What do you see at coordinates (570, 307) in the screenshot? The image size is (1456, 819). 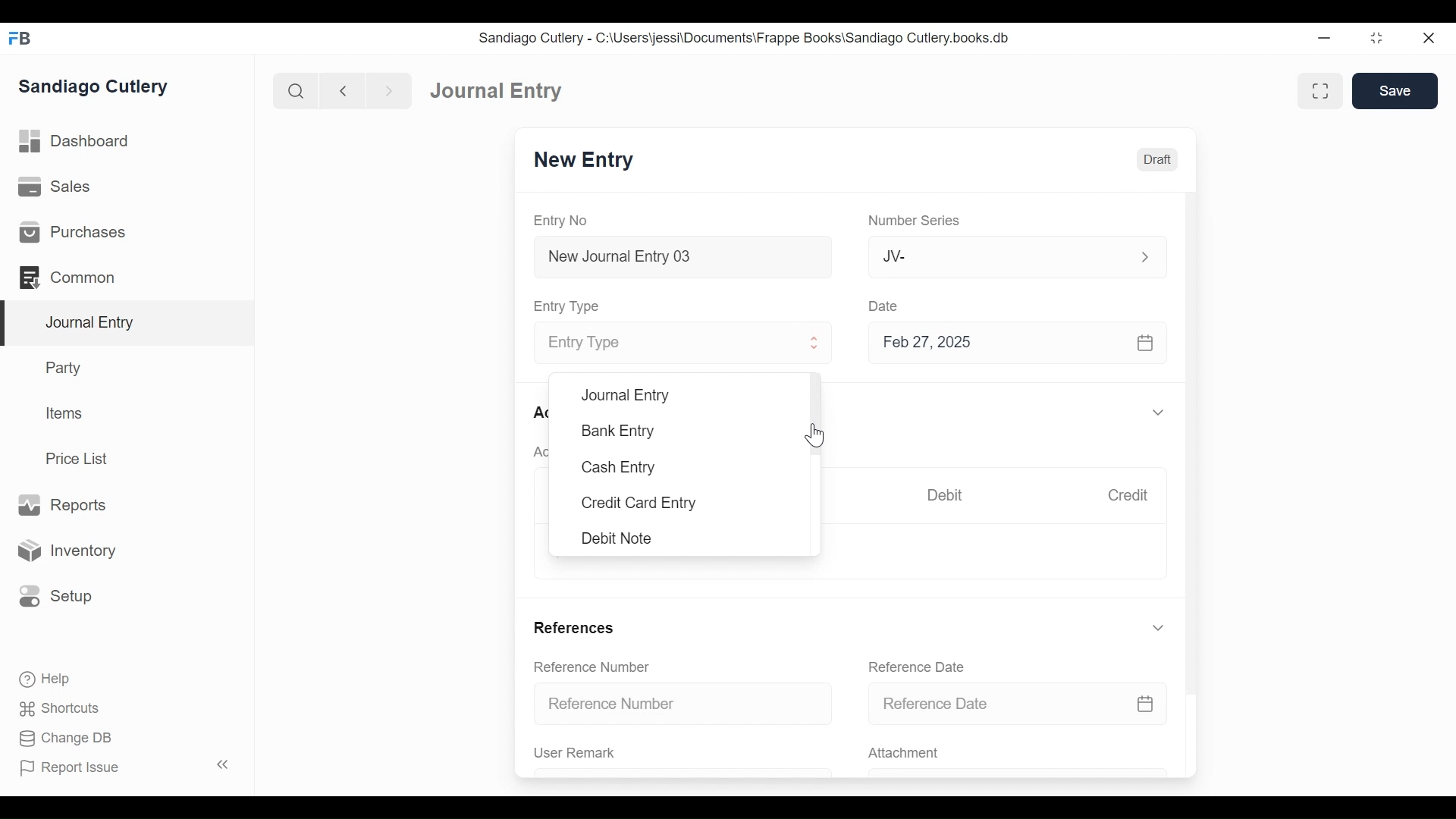 I see `Entry Type` at bounding box center [570, 307].